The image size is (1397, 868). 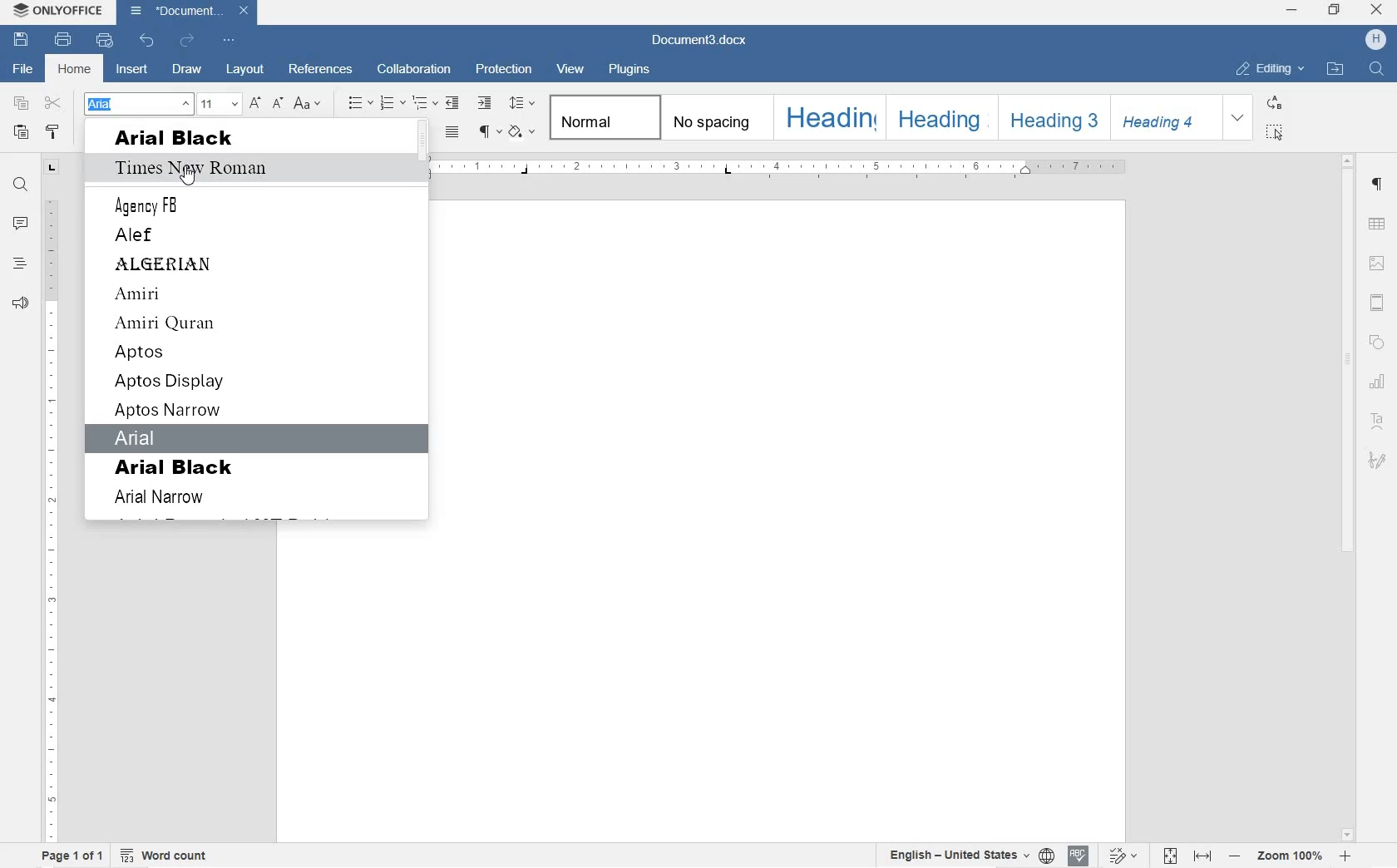 I want to click on PLUGINS, so click(x=630, y=70).